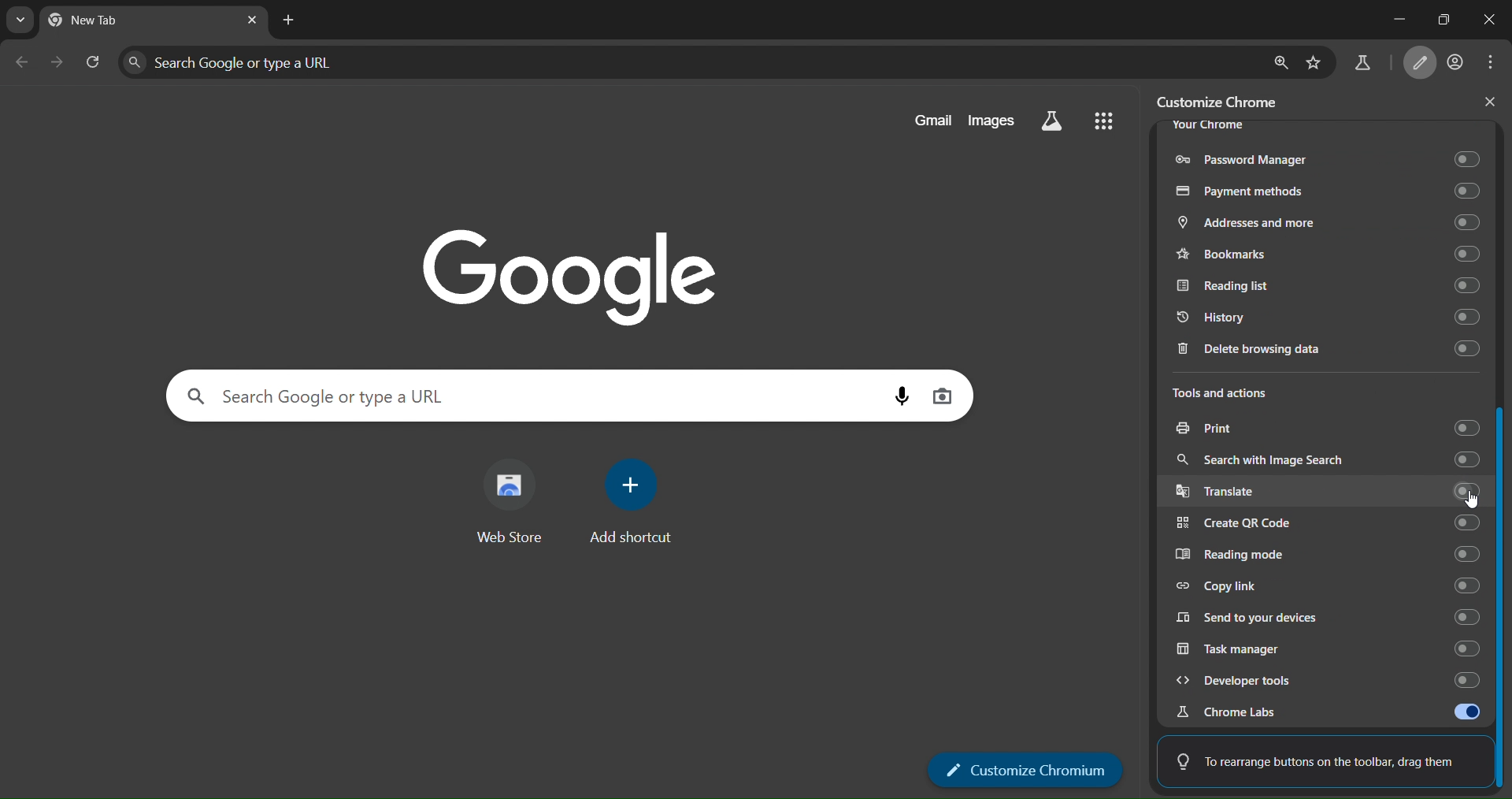  What do you see at coordinates (1328, 649) in the screenshot?
I see `task manager` at bounding box center [1328, 649].